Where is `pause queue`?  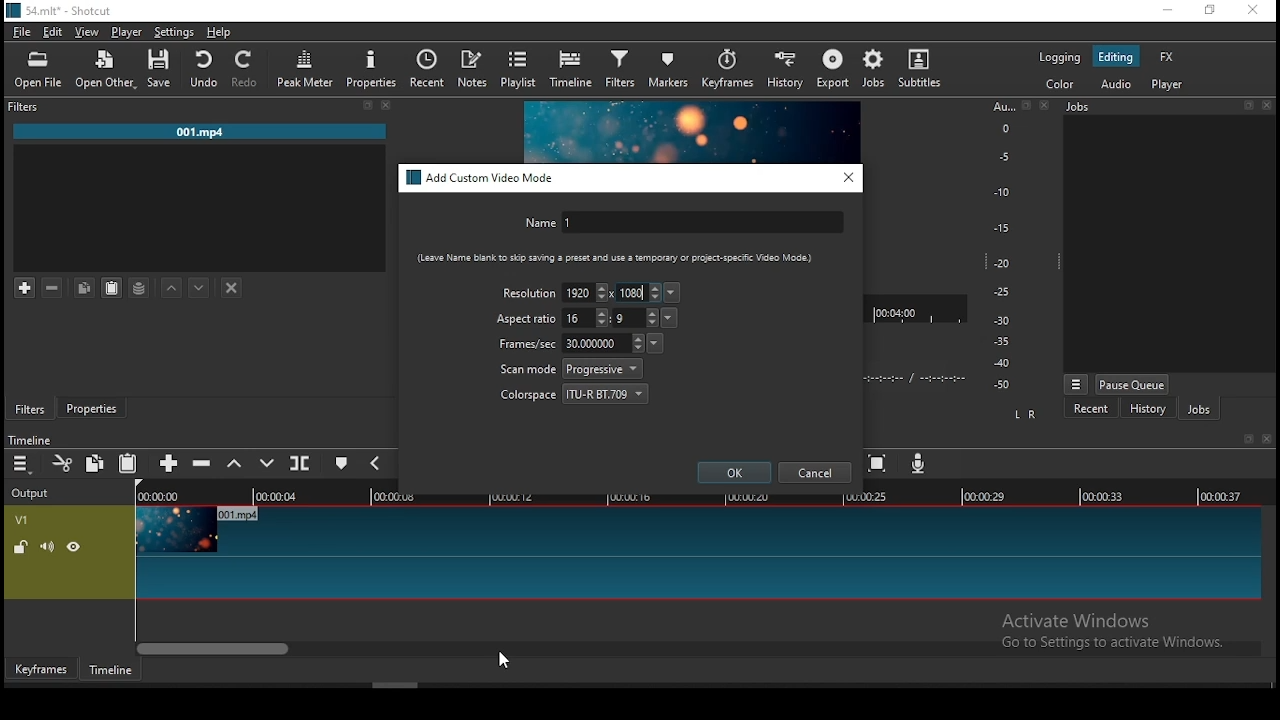
pause queue is located at coordinates (1132, 384).